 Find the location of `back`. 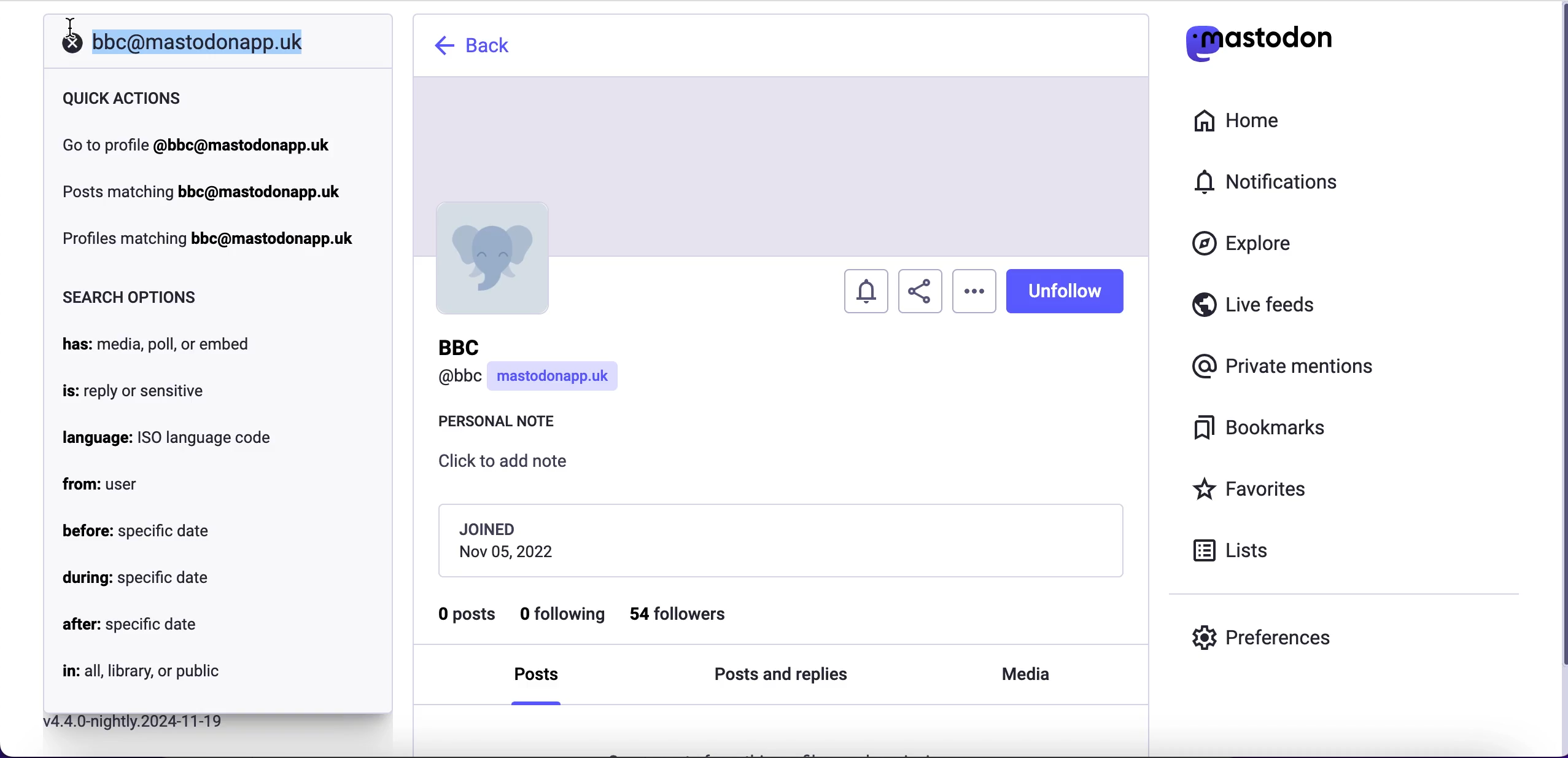

back is located at coordinates (475, 45).